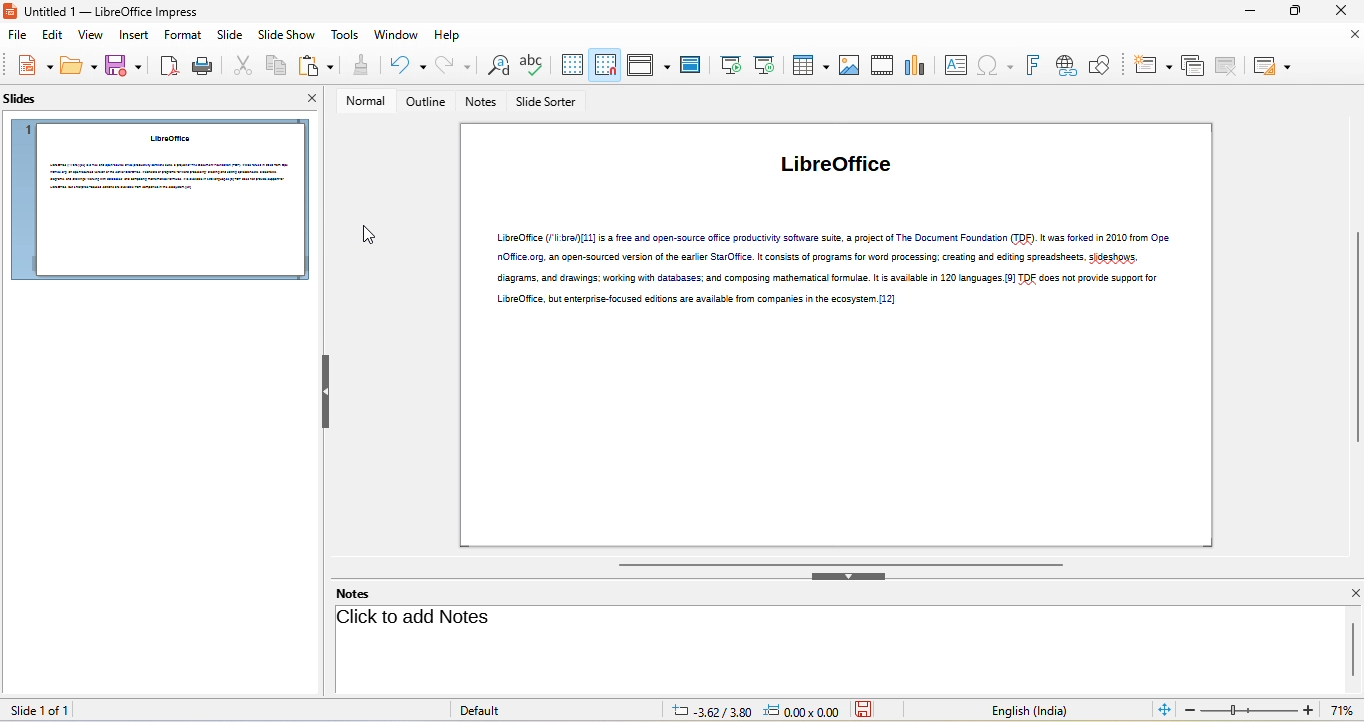 Image resolution: width=1364 pixels, height=722 pixels. Describe the element at coordinates (1154, 66) in the screenshot. I see `new slide` at that location.